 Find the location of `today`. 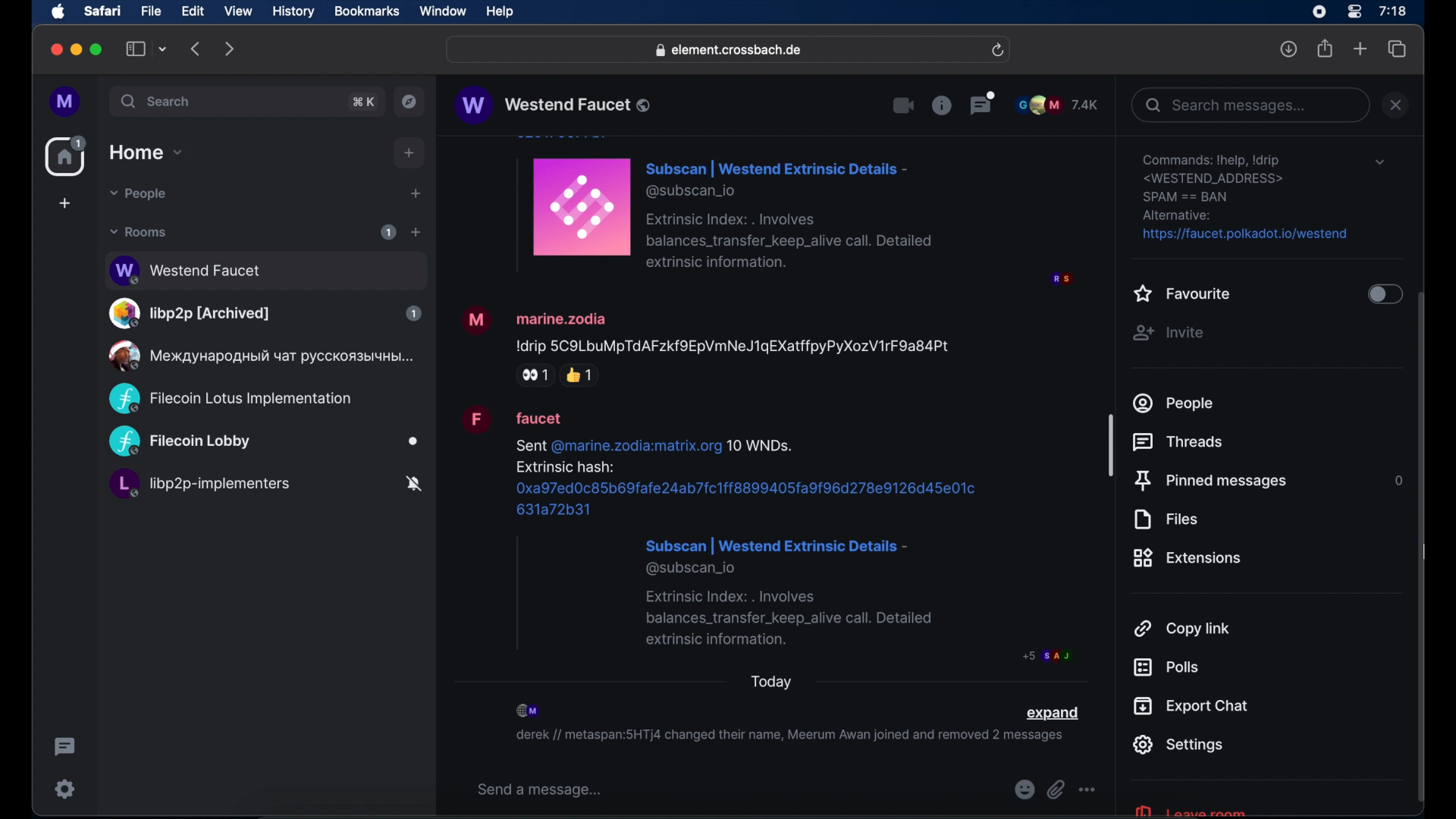

today is located at coordinates (772, 682).